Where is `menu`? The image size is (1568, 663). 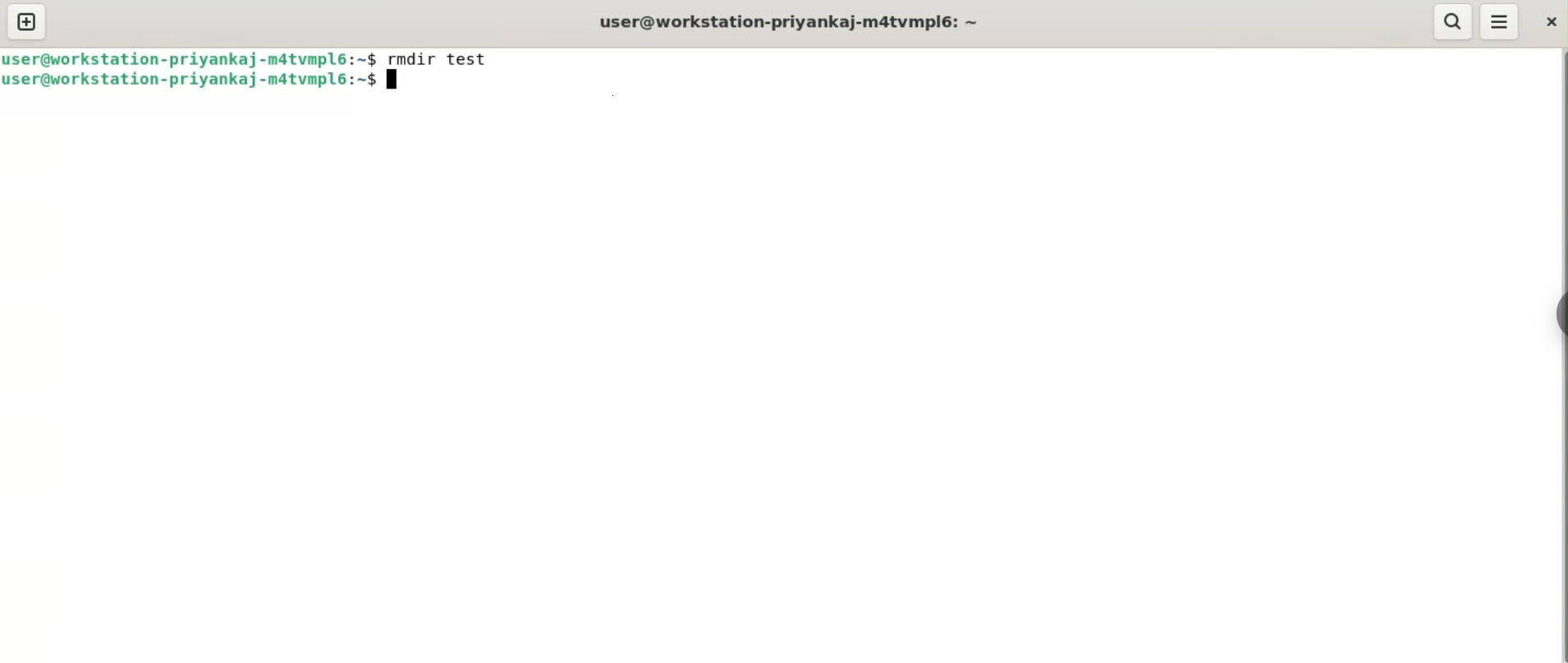
menu is located at coordinates (1499, 22).